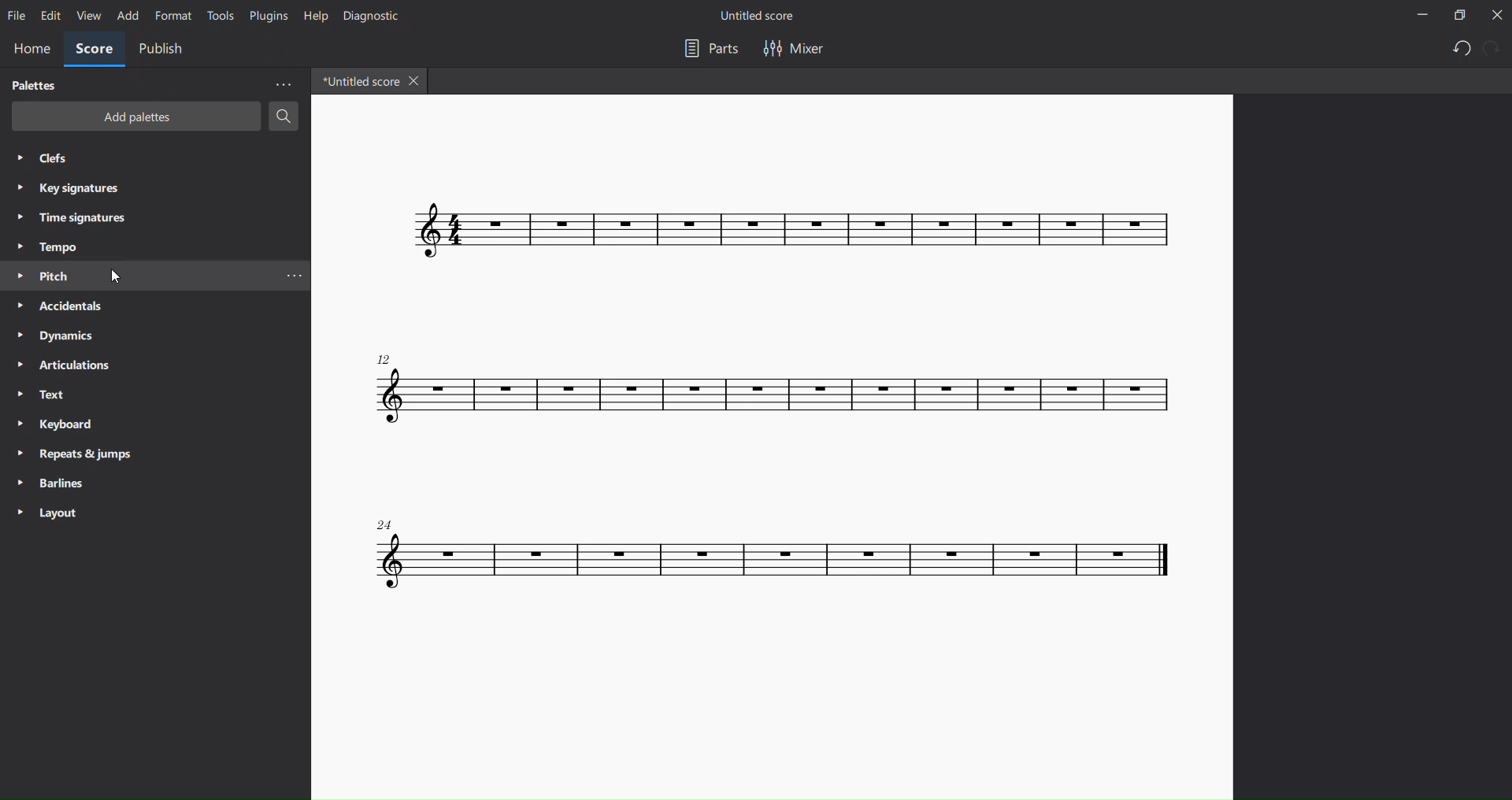 This screenshot has height=800, width=1512. What do you see at coordinates (49, 17) in the screenshot?
I see `edit` at bounding box center [49, 17].